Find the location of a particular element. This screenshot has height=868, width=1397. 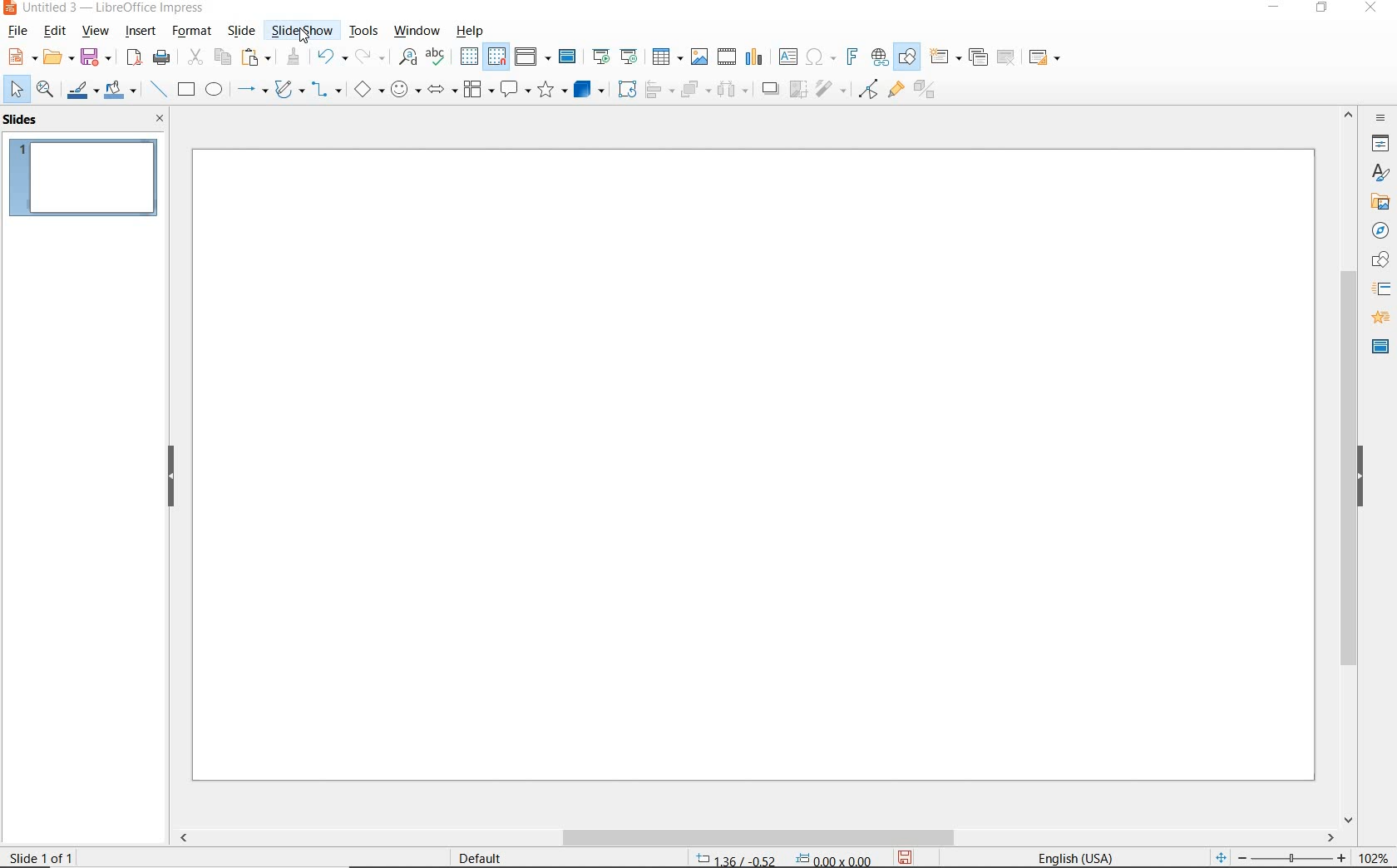

TOGGLE POINT EDIT MODE is located at coordinates (870, 87).